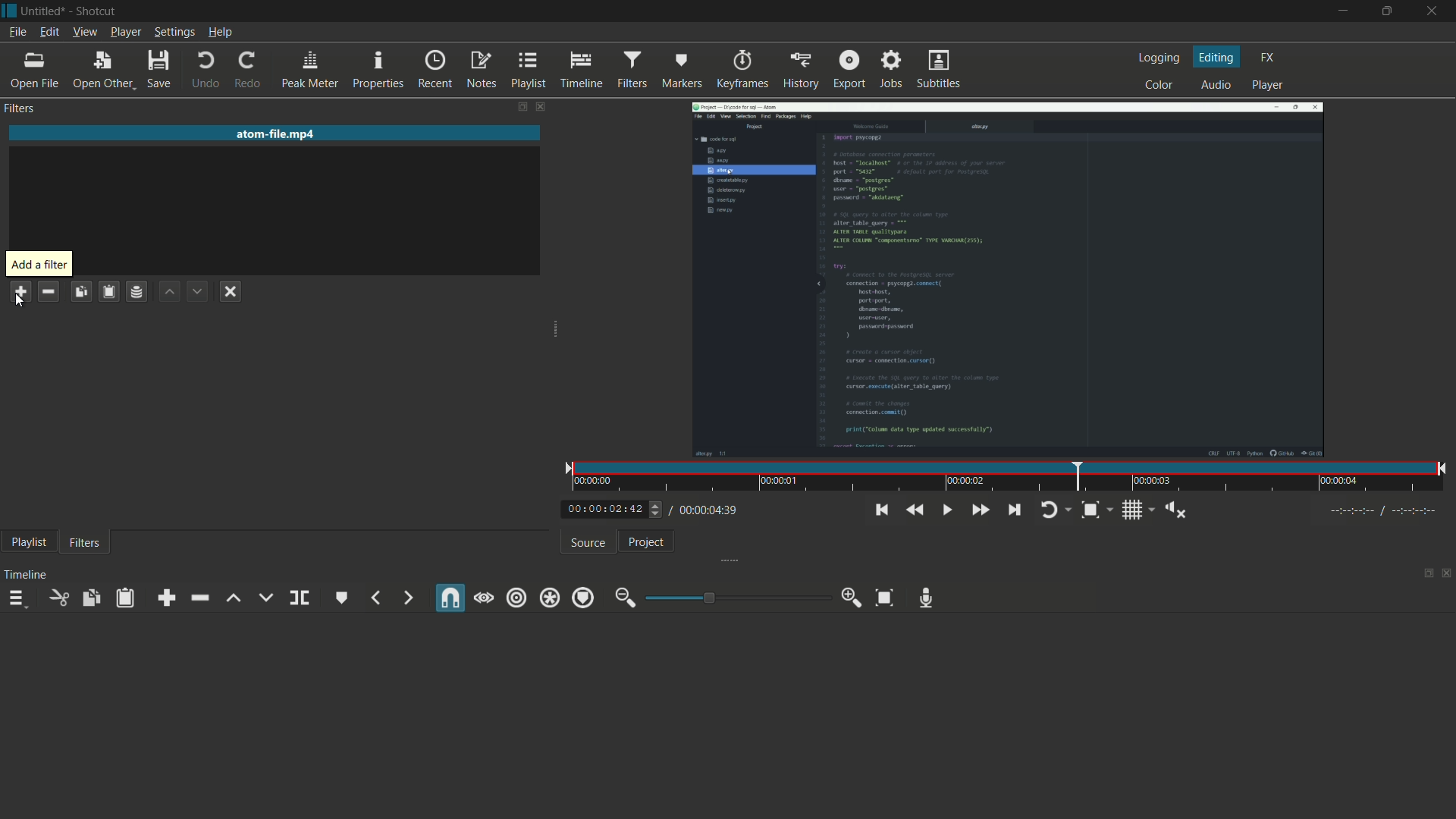  I want to click on zoom out, so click(624, 598).